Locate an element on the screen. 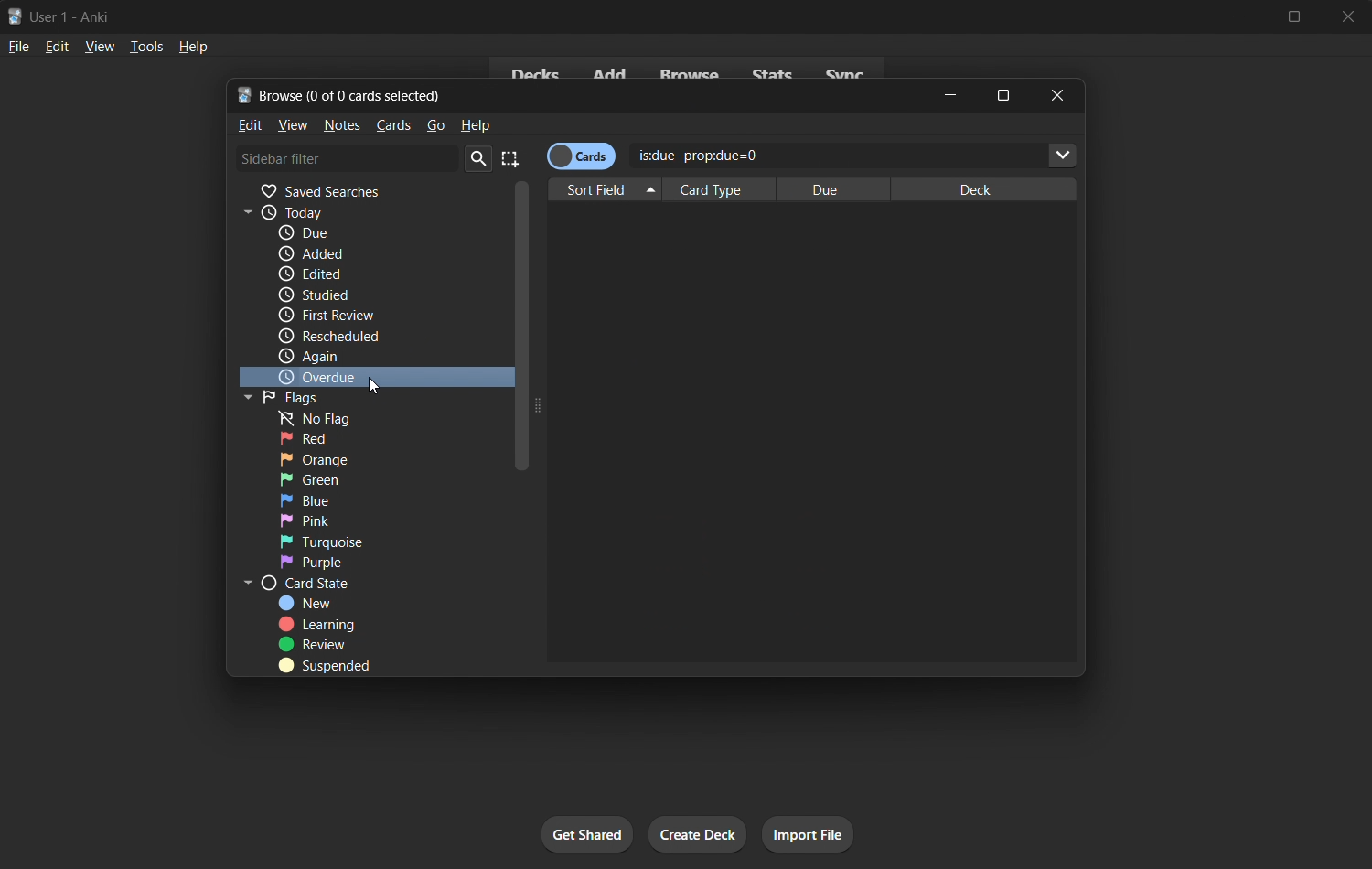 The height and width of the screenshot is (869, 1372). first review is located at coordinates (343, 317).